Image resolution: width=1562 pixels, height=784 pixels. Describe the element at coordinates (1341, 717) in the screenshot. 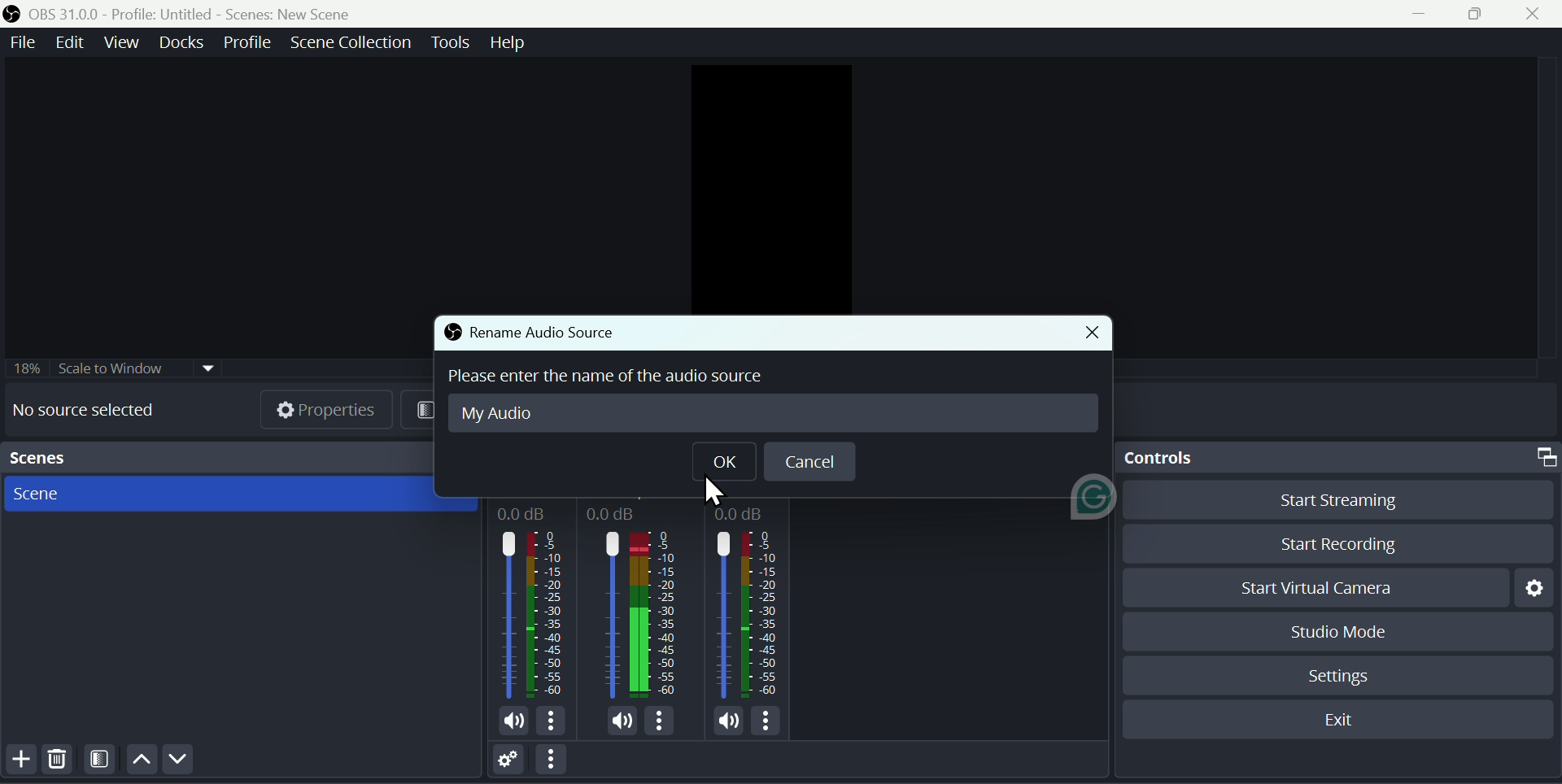

I see `Exit` at that location.